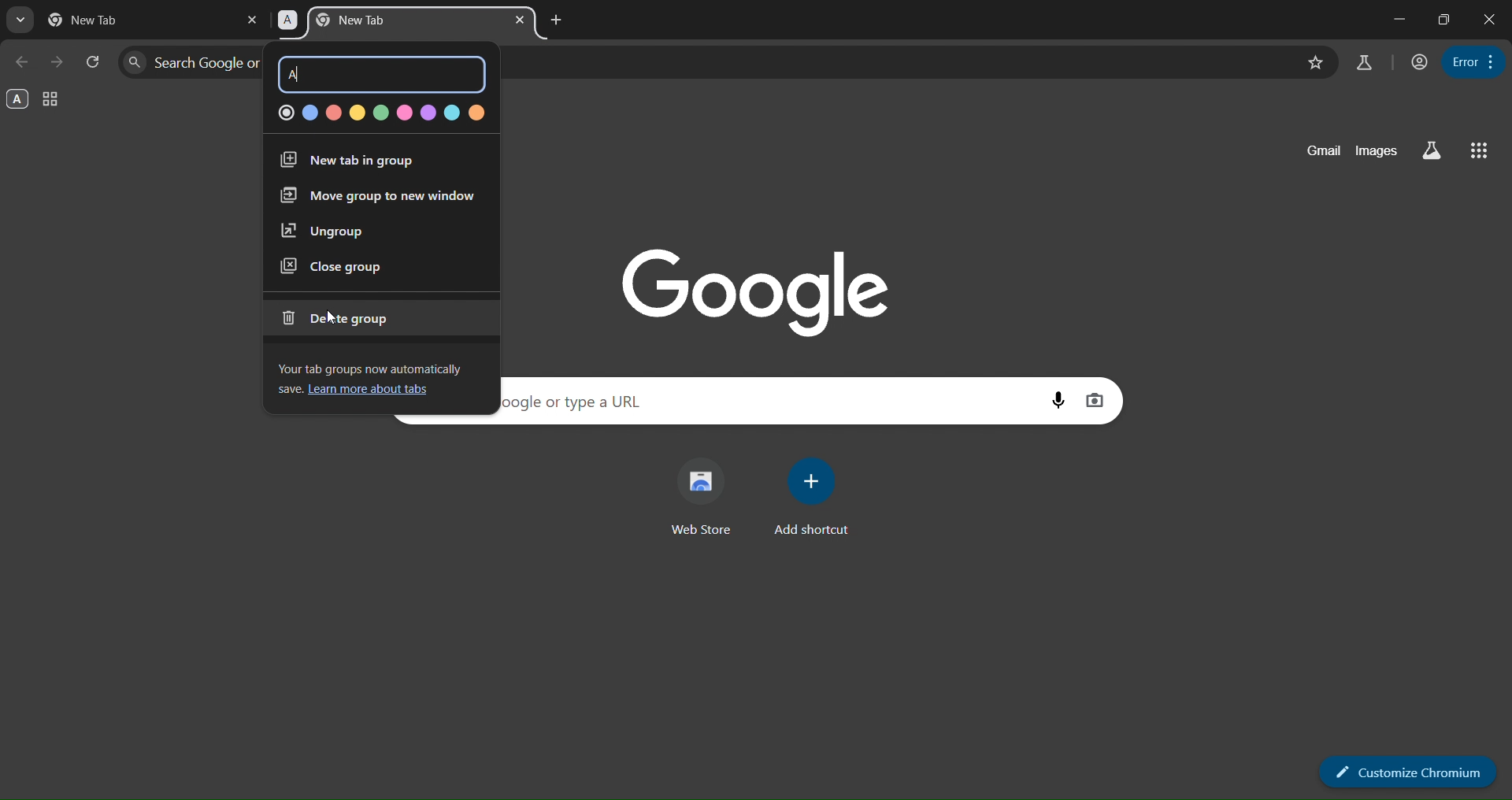 This screenshot has width=1512, height=800. What do you see at coordinates (1376, 152) in the screenshot?
I see `images` at bounding box center [1376, 152].